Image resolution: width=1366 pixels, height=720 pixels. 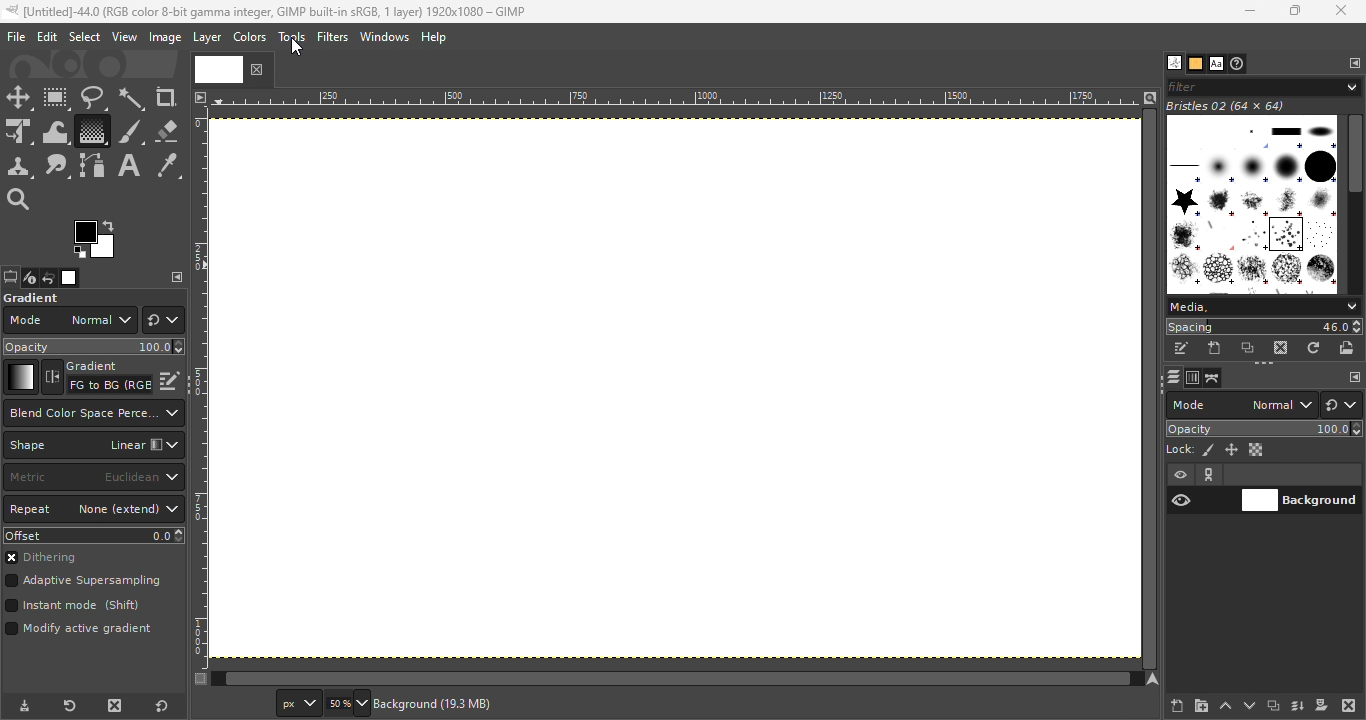 What do you see at coordinates (1322, 705) in the screenshot?
I see `Add a mask that allows non destructive editing of transperency` at bounding box center [1322, 705].